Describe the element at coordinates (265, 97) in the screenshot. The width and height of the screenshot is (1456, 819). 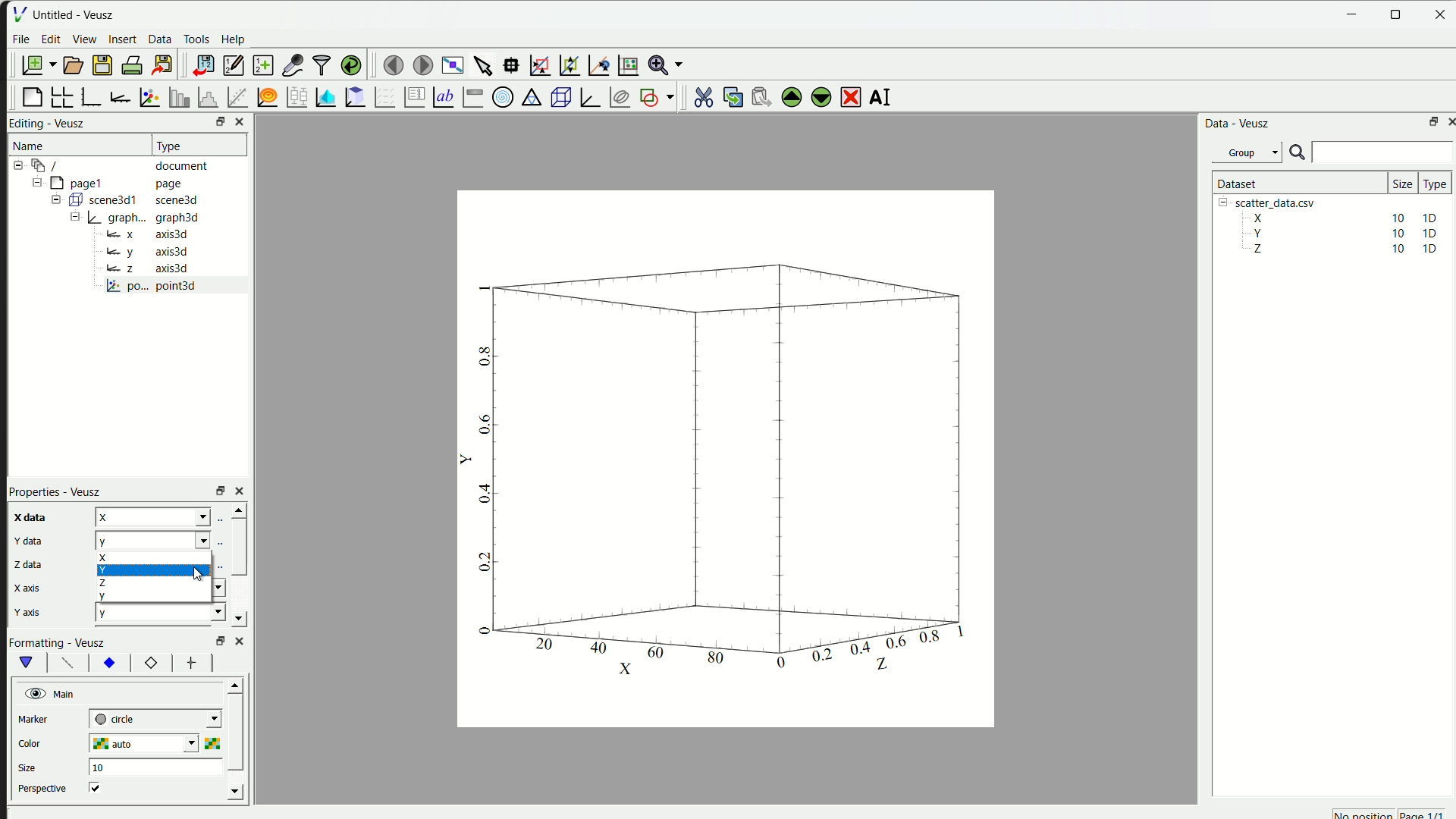
I see `plot function` at that location.